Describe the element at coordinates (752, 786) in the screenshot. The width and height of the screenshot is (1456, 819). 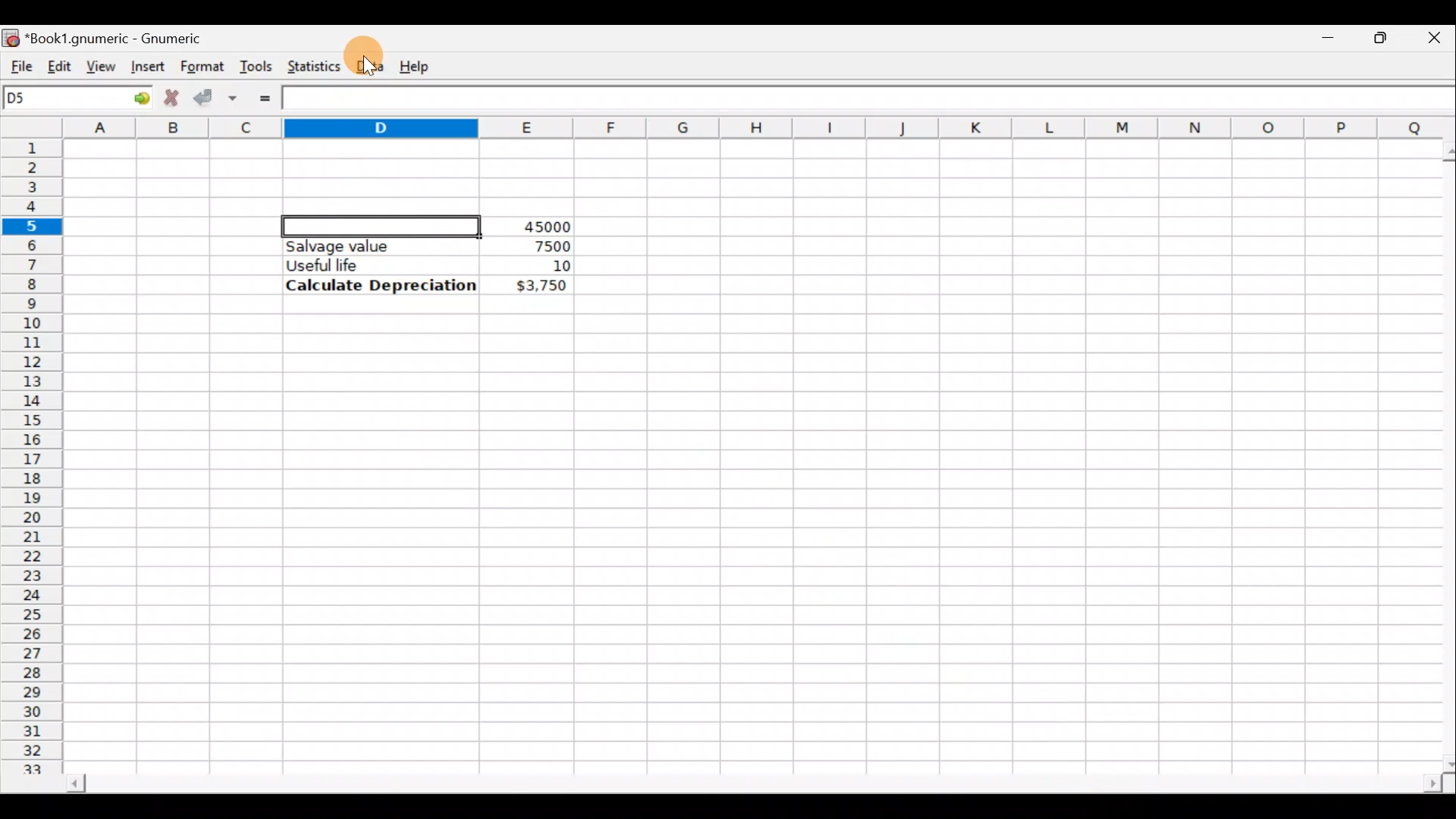
I see `Scroll bar` at that location.